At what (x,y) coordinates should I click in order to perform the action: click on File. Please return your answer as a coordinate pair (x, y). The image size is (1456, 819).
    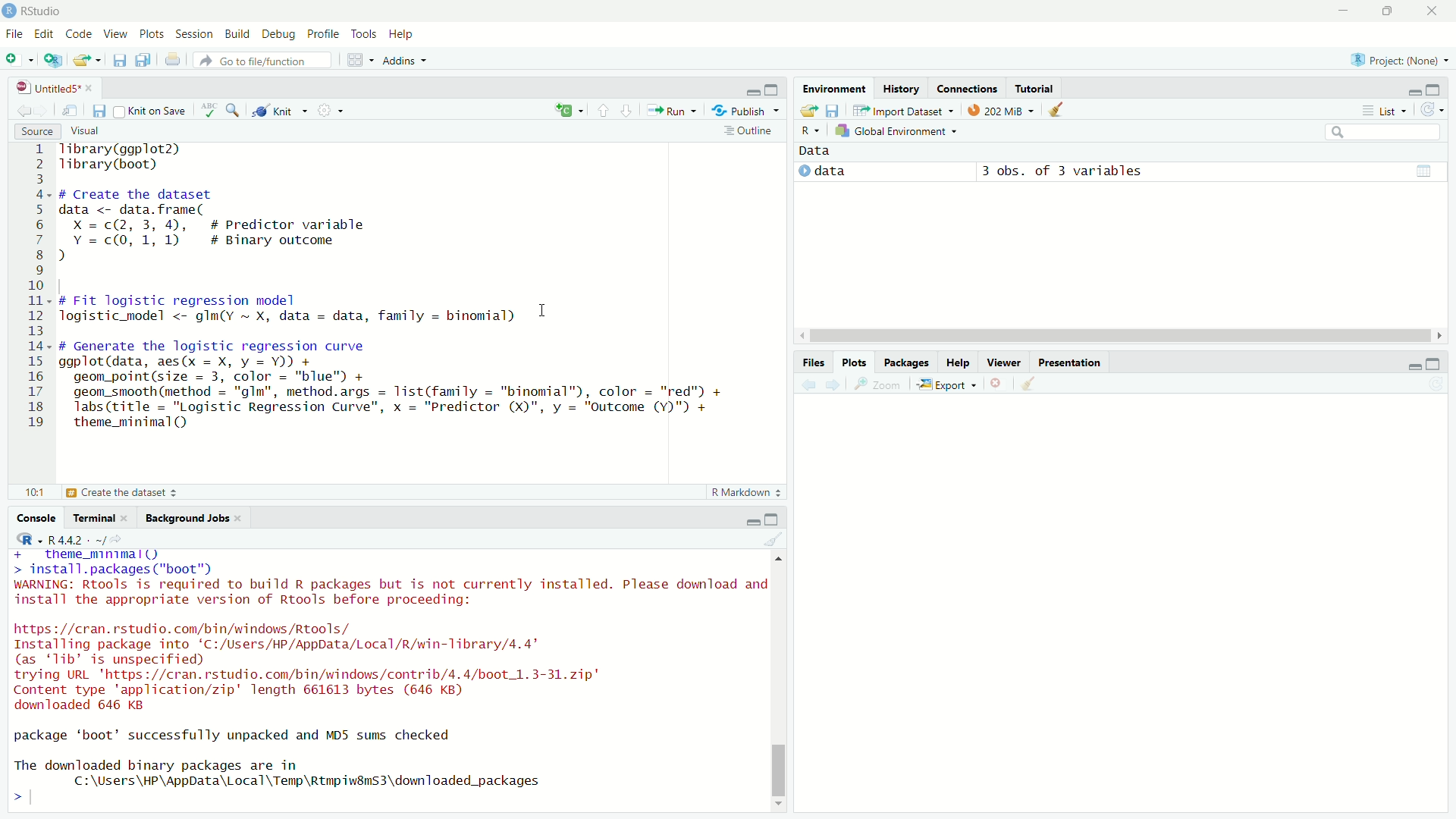
    Looking at the image, I should click on (15, 33).